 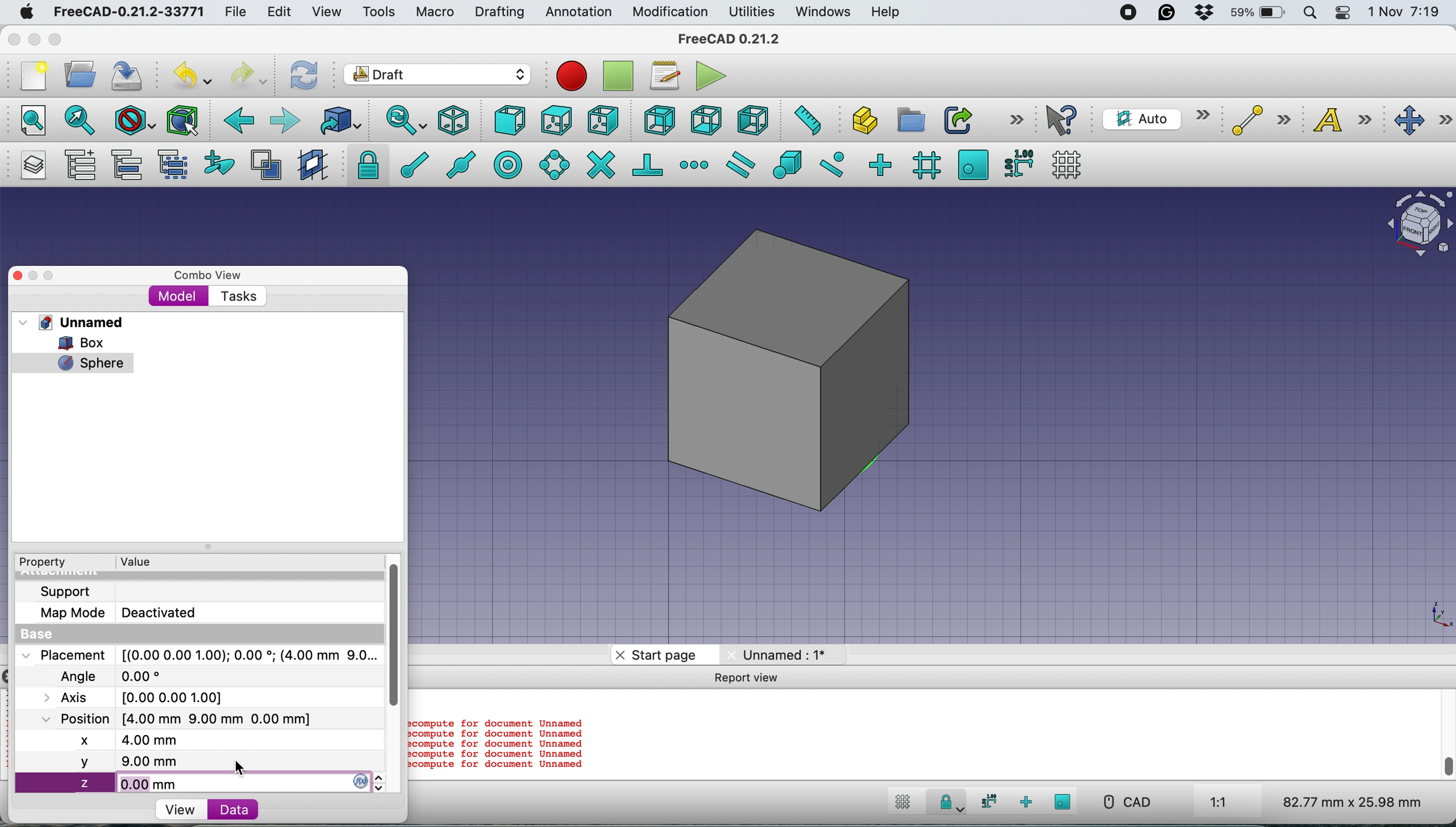 What do you see at coordinates (506, 164) in the screenshot?
I see `snap center` at bounding box center [506, 164].